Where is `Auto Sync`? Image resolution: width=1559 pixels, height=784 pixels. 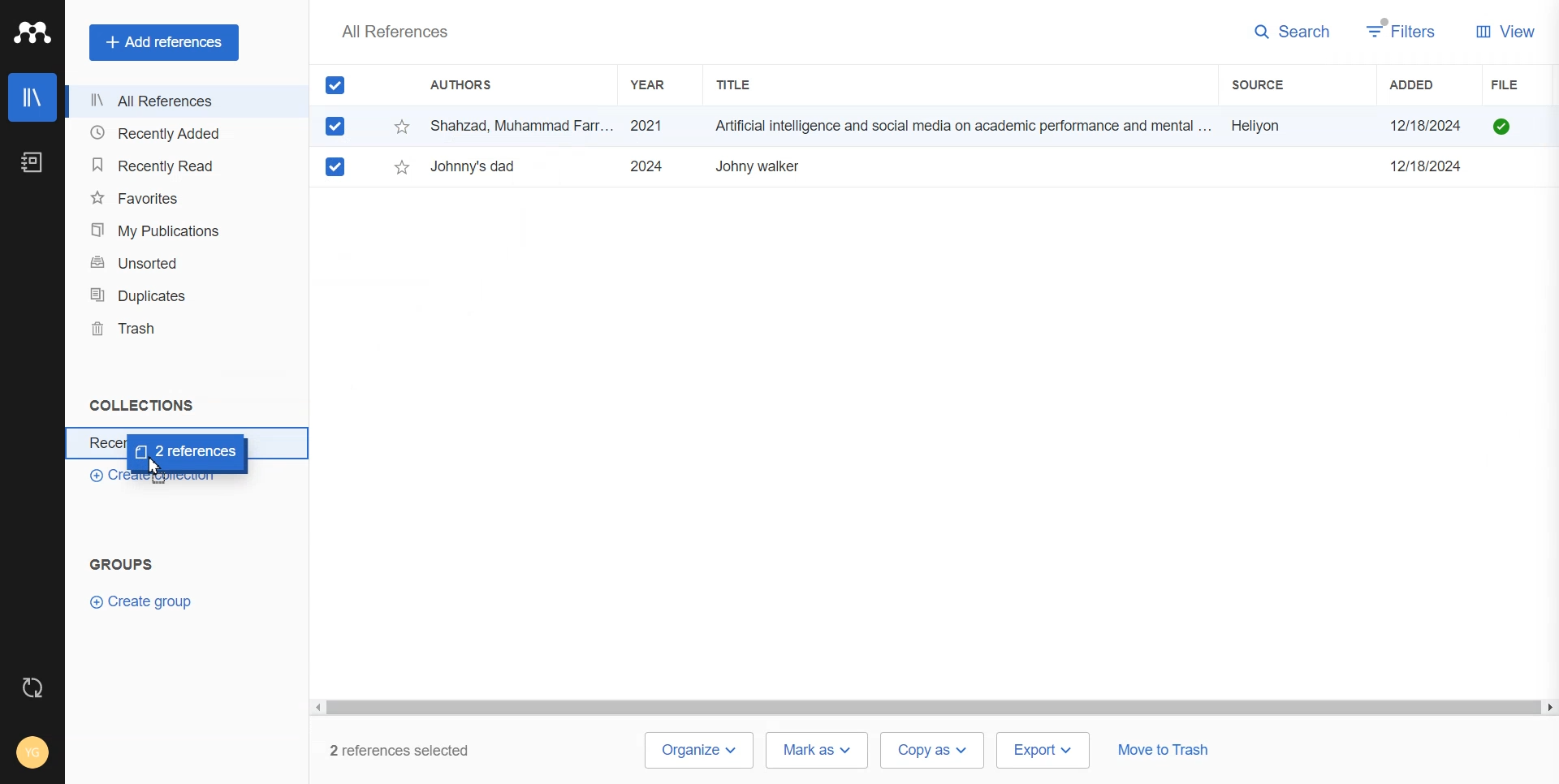
Auto Sync is located at coordinates (33, 687).